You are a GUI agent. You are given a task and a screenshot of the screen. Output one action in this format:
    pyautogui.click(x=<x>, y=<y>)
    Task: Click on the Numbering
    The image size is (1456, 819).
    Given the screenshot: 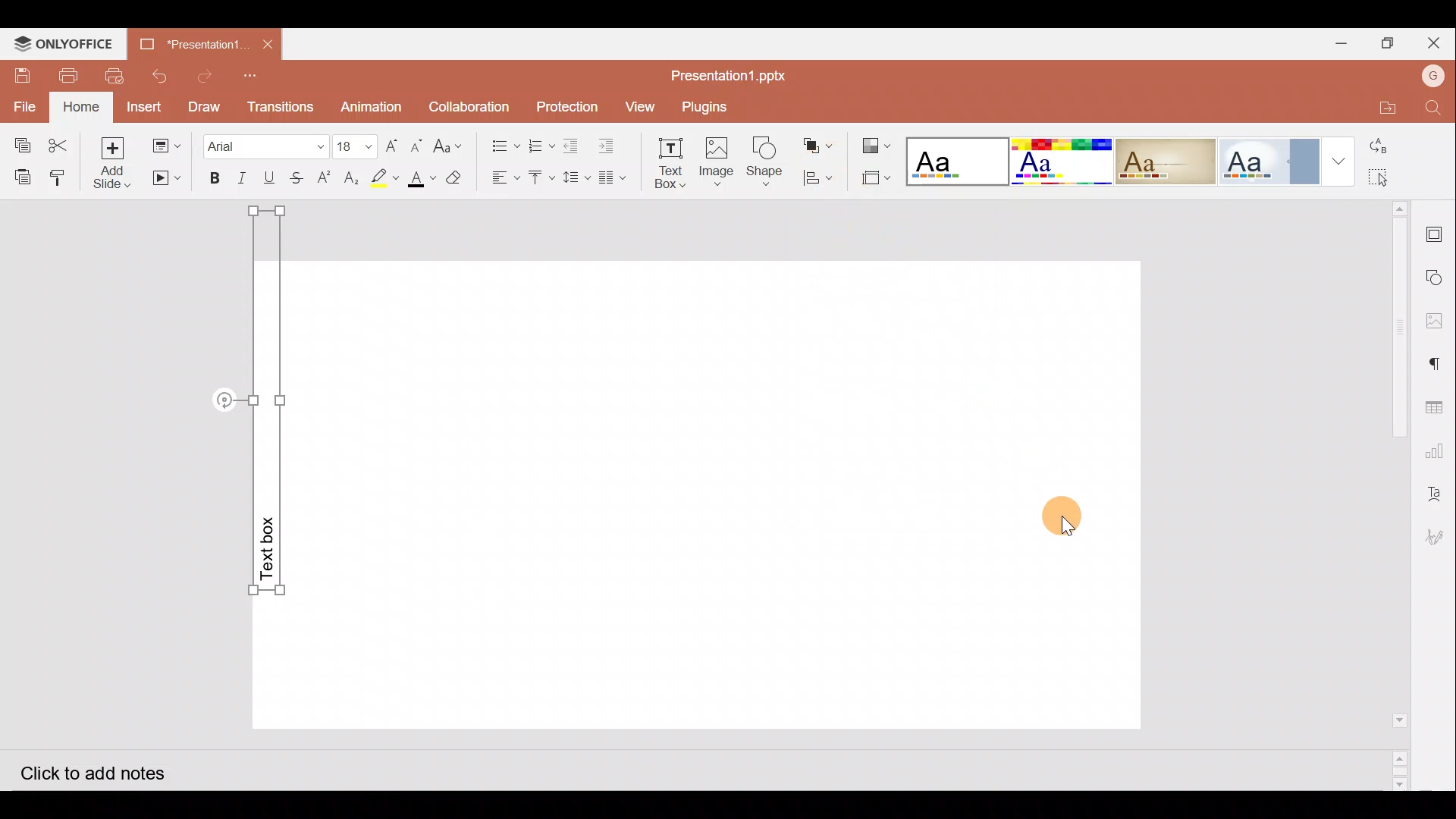 What is the action you would take?
    pyautogui.click(x=541, y=142)
    